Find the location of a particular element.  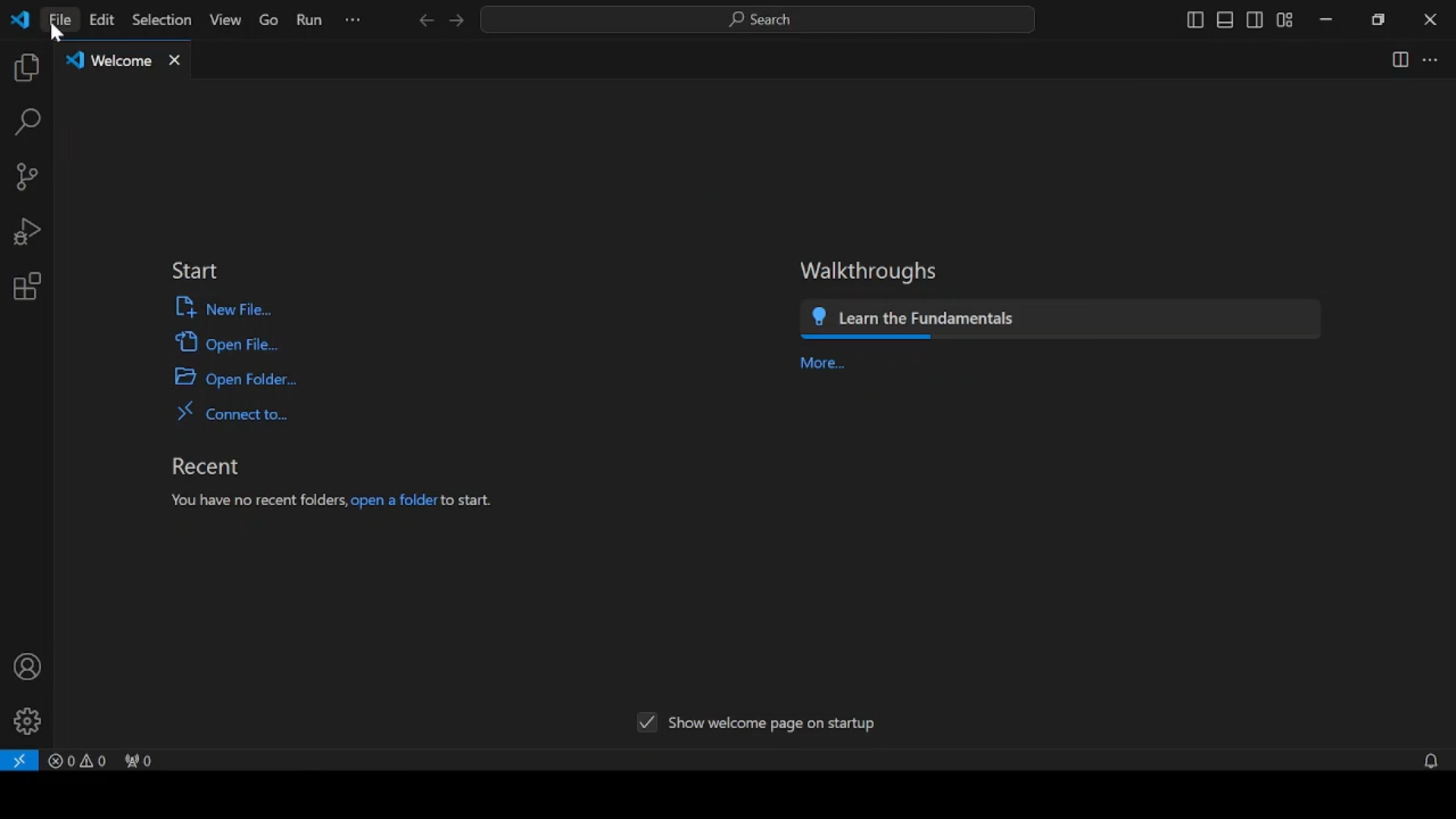

cursor is located at coordinates (57, 33).